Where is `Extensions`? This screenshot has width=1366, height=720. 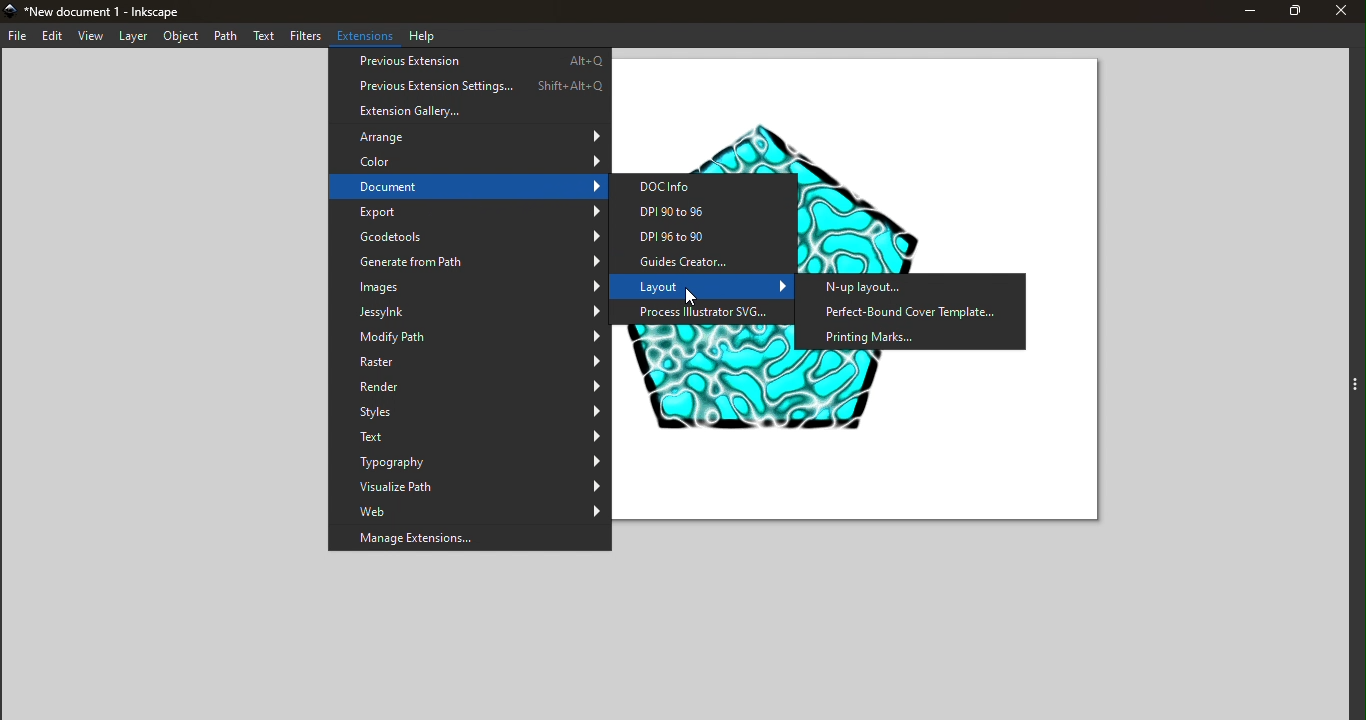 Extensions is located at coordinates (367, 35).